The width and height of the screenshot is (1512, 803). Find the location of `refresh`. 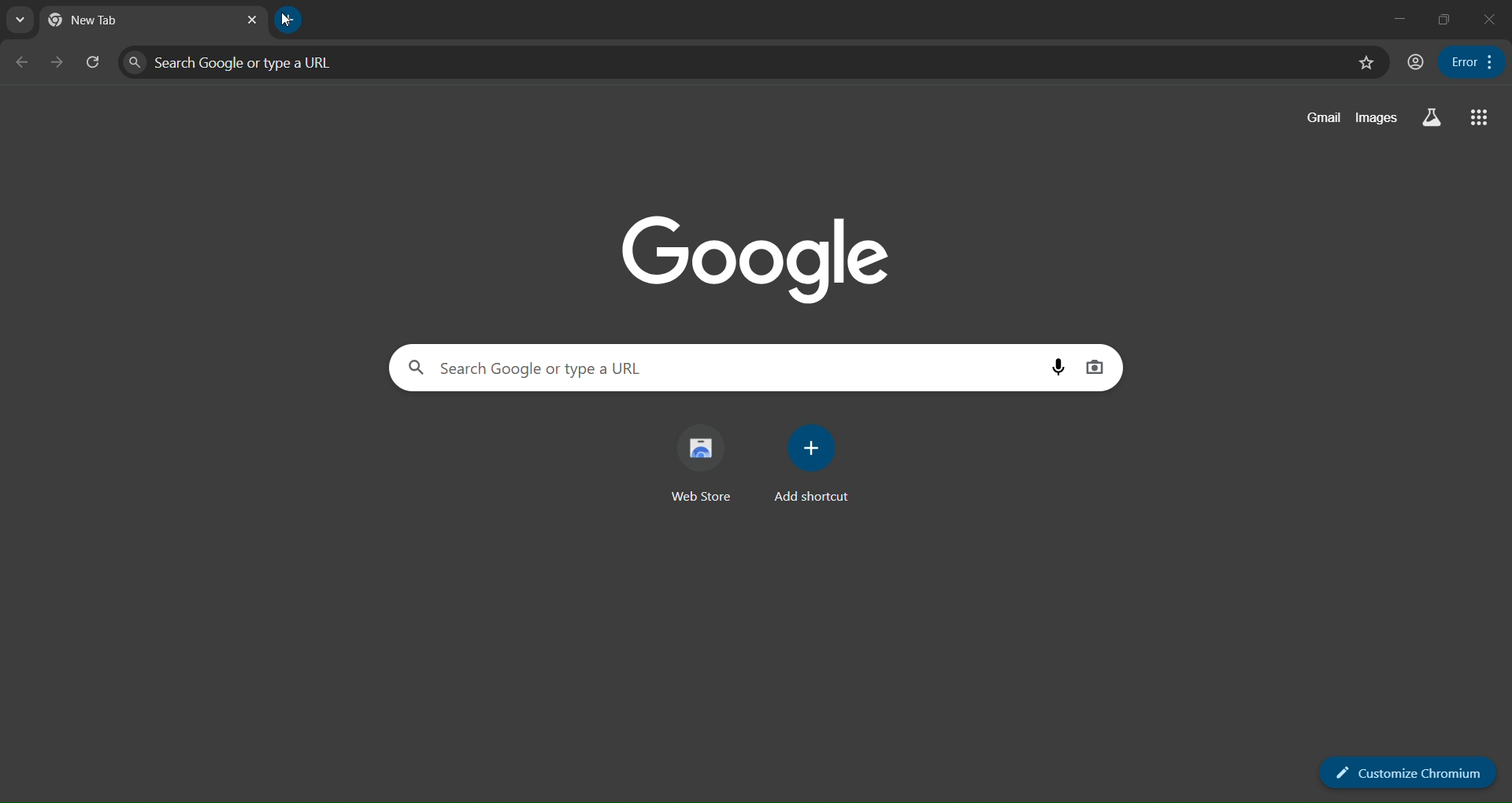

refresh is located at coordinates (95, 63).